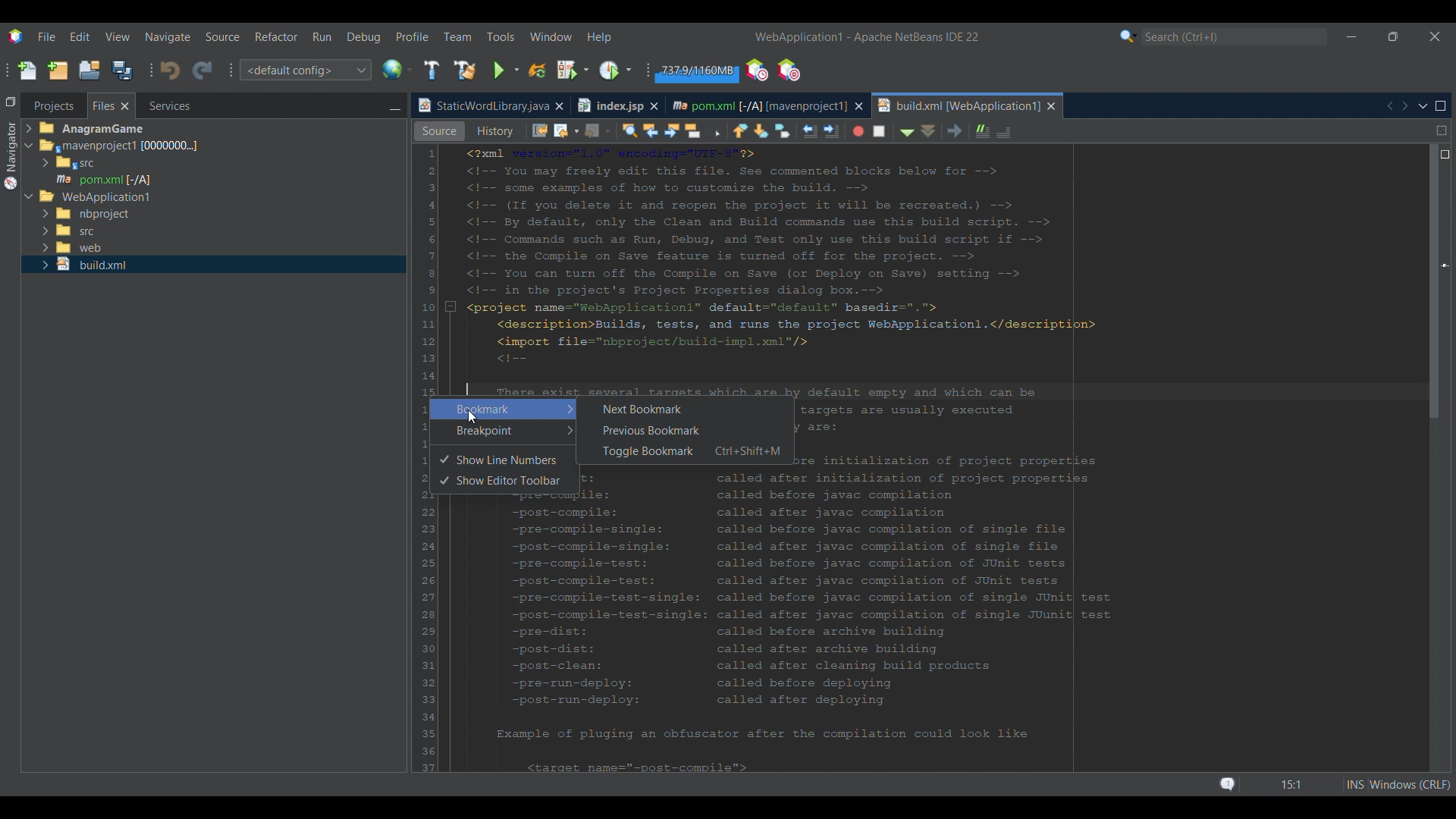 The image size is (1456, 819). I want to click on Current selection highlighted, so click(111, 105).